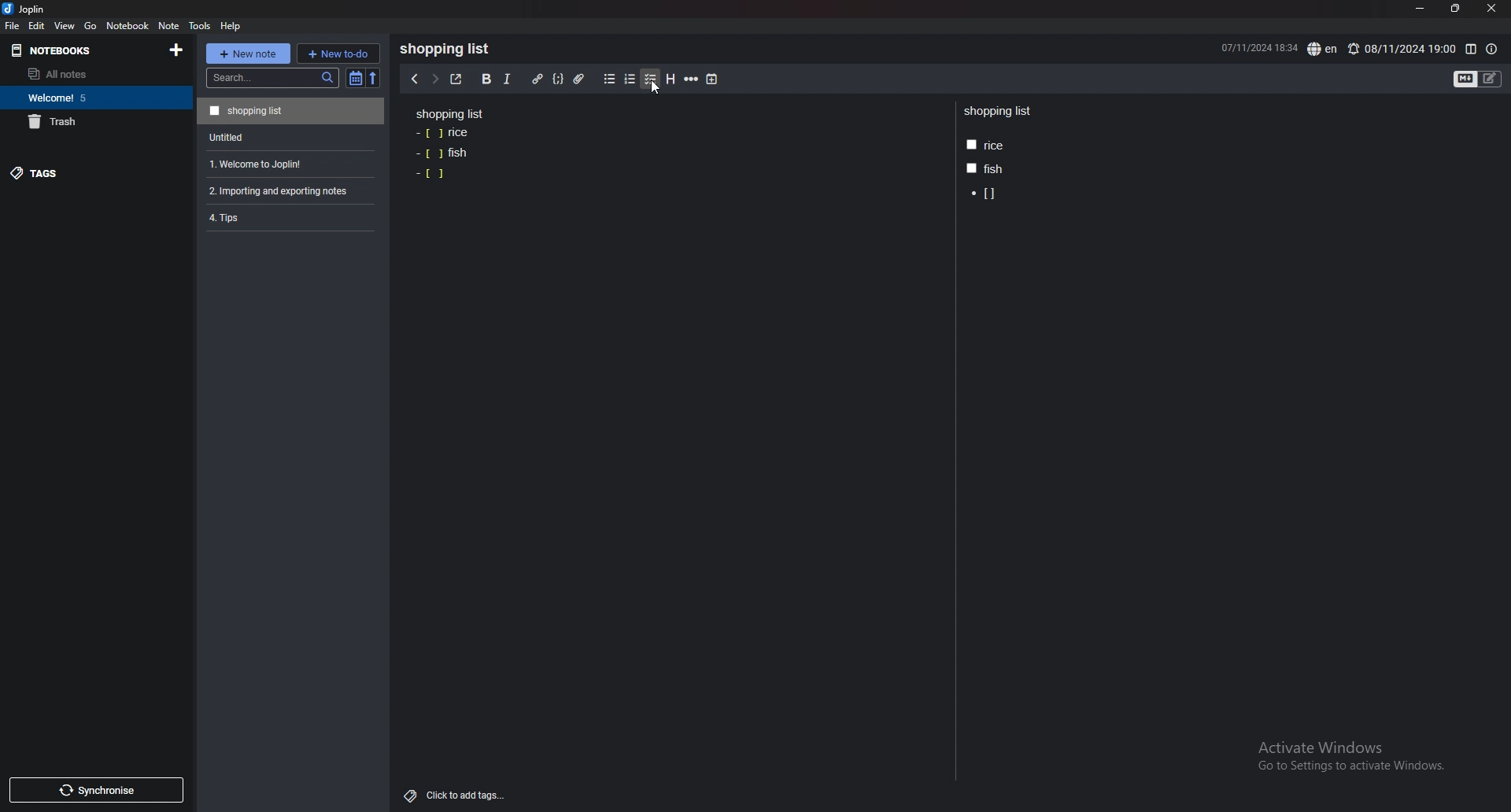 Image resolution: width=1511 pixels, height=812 pixels. What do you see at coordinates (288, 136) in the screenshot?
I see `Untitled` at bounding box center [288, 136].